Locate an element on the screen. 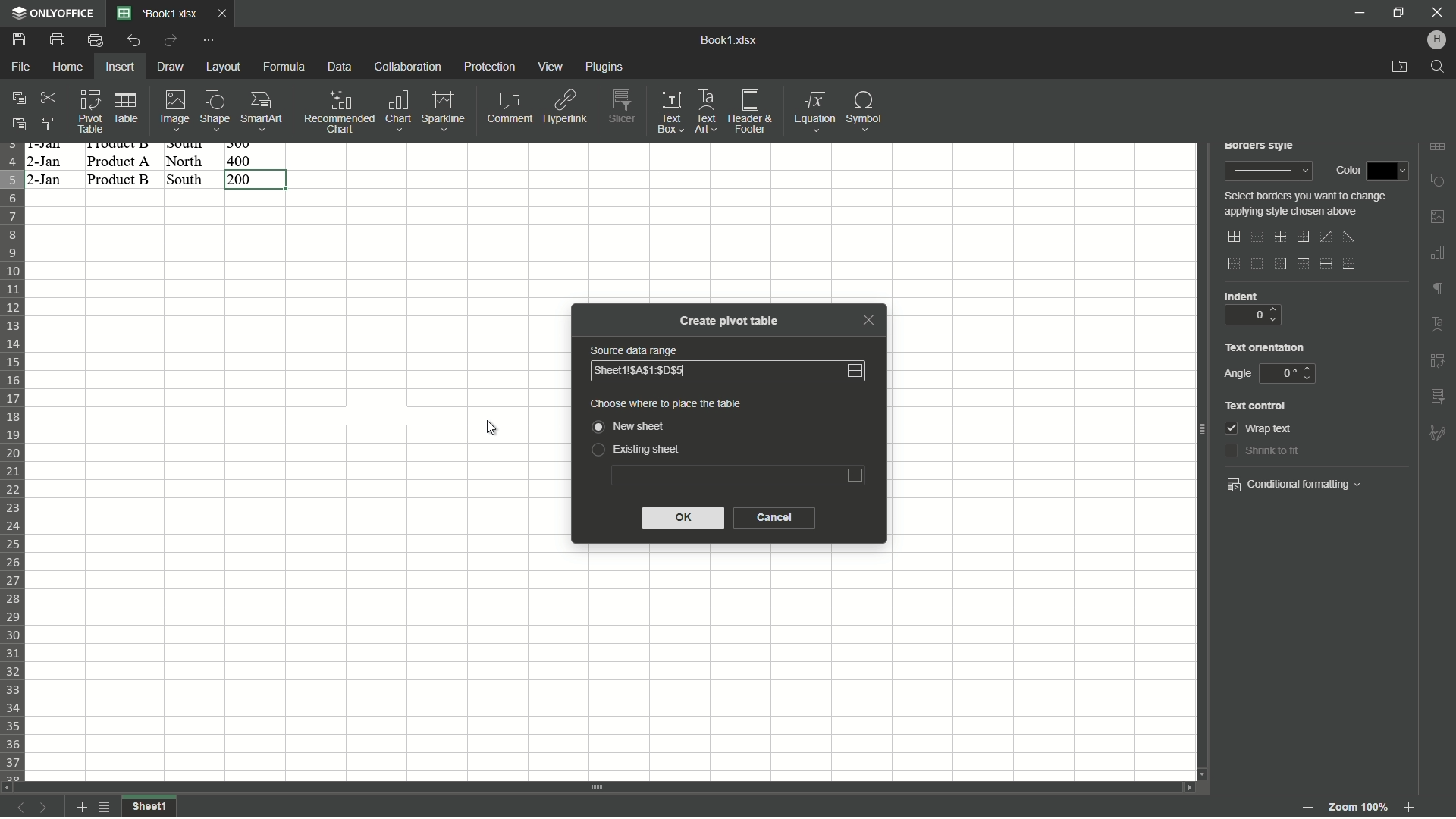 This screenshot has width=1456, height=819. Data is located at coordinates (337, 66).